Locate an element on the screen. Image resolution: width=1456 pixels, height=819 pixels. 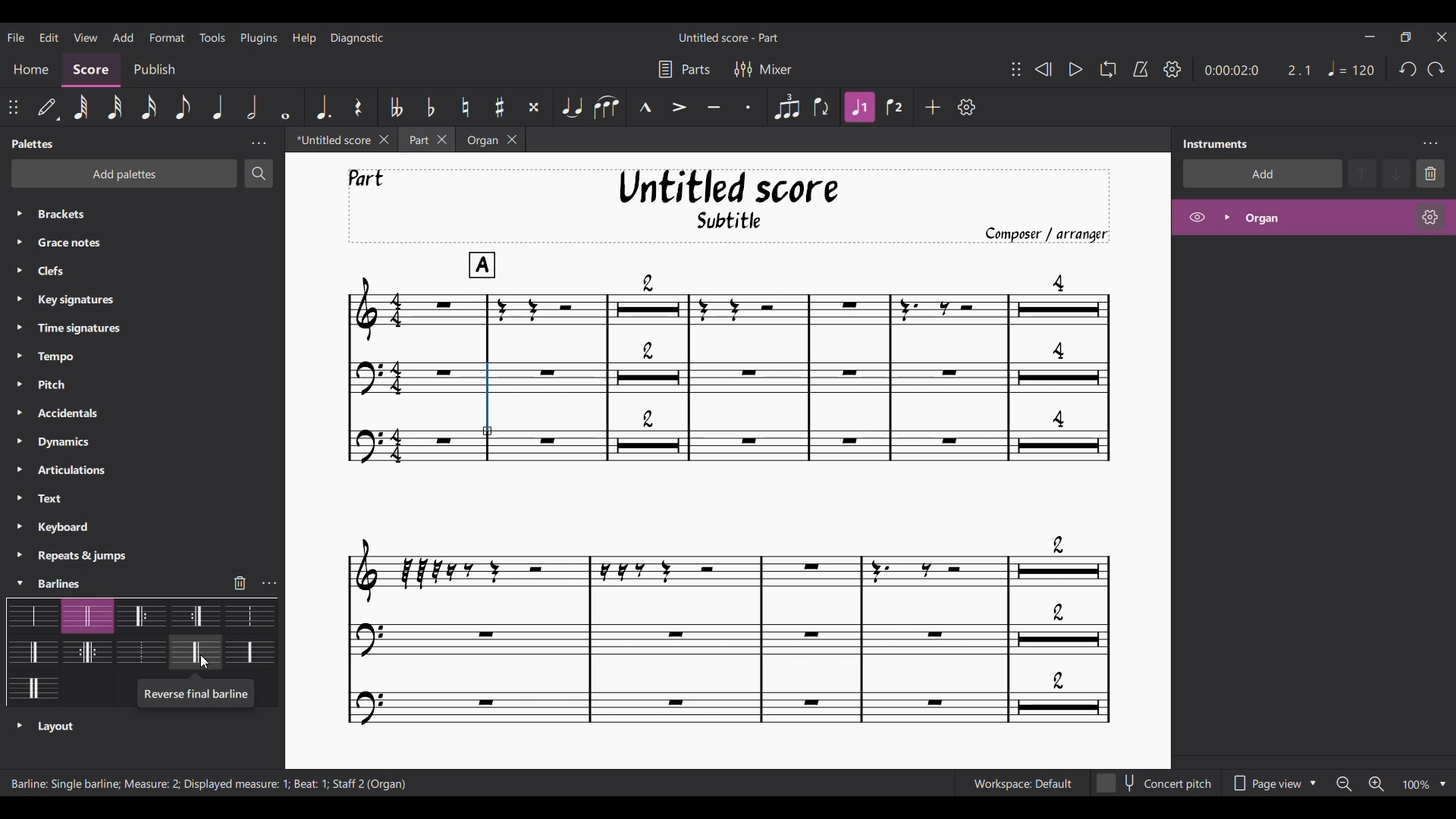
Toggle double sharp is located at coordinates (534, 107).